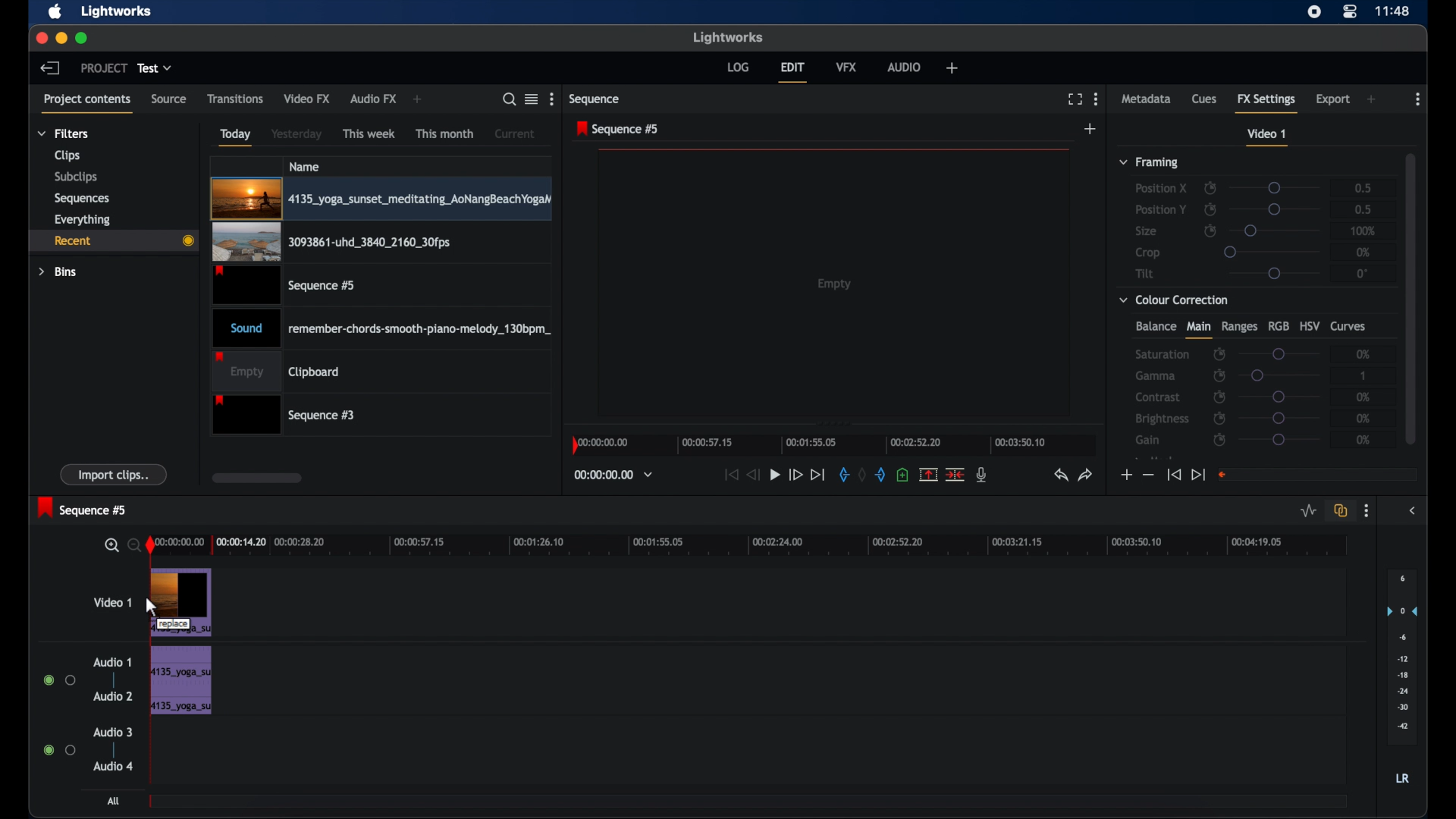  What do you see at coordinates (955, 474) in the screenshot?
I see `cut` at bounding box center [955, 474].